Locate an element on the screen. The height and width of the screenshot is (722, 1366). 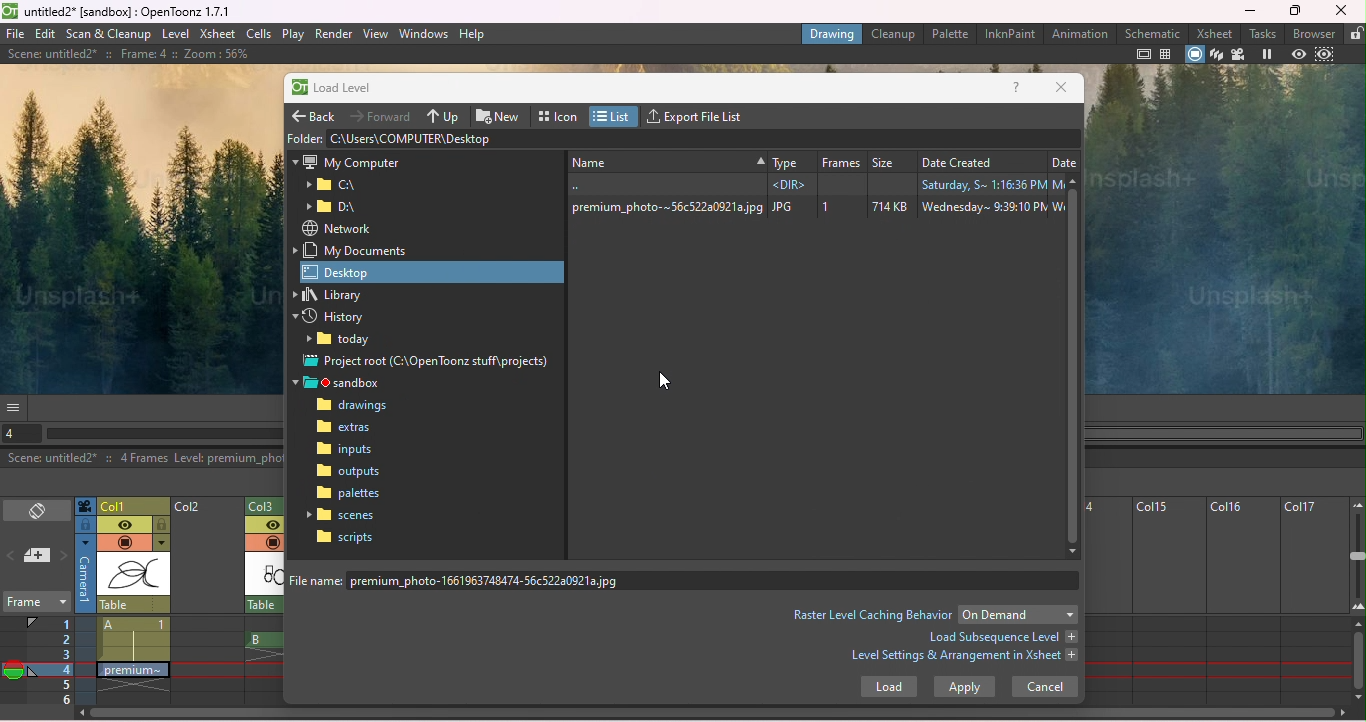
premium_photo-~56c522a0921ajpg JPG 1 714KB Wednesday~ 3:39:10 Ph W is located at coordinates (813, 207).